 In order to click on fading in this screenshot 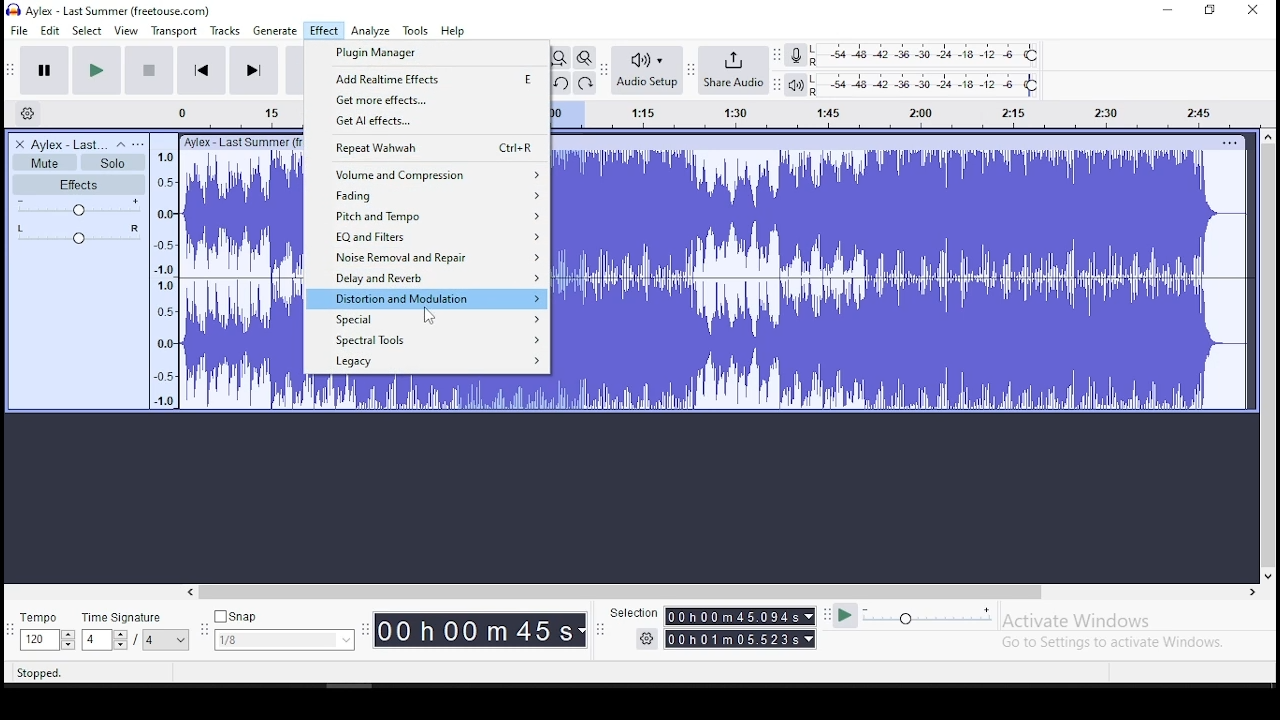, I will do `click(425, 195)`.